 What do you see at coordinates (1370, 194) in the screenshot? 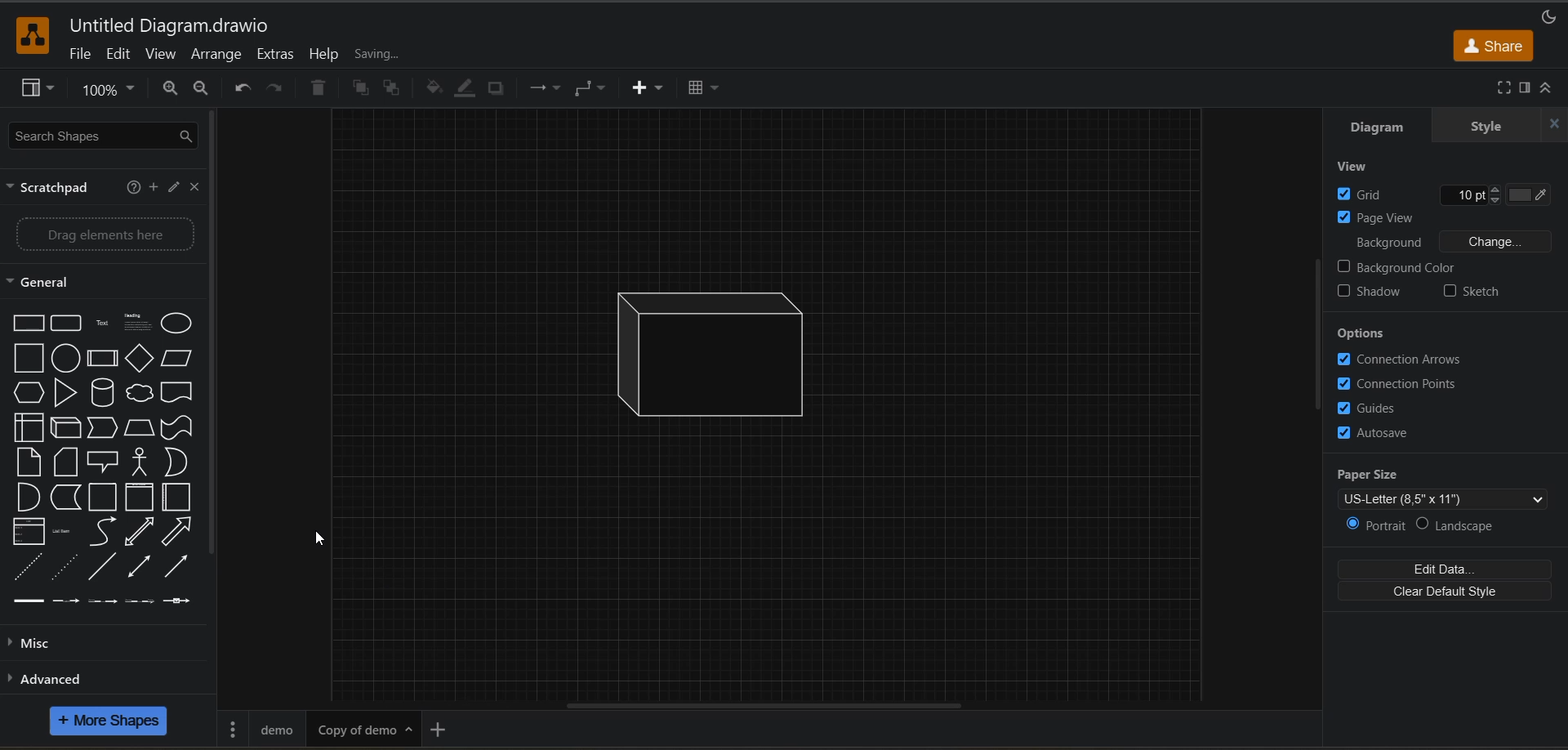
I see `grid` at bounding box center [1370, 194].